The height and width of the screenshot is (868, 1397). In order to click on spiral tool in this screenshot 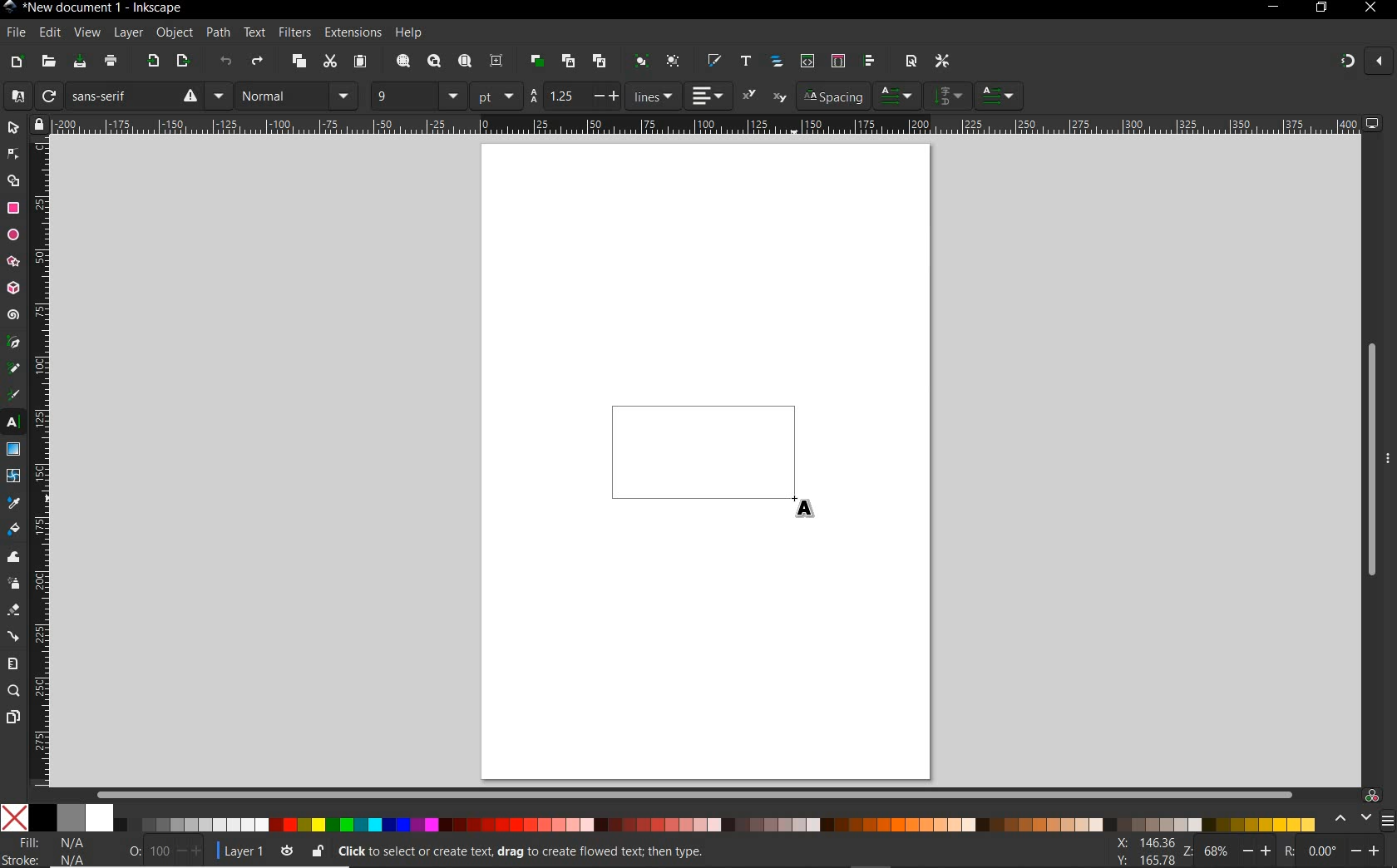, I will do `click(13, 317)`.